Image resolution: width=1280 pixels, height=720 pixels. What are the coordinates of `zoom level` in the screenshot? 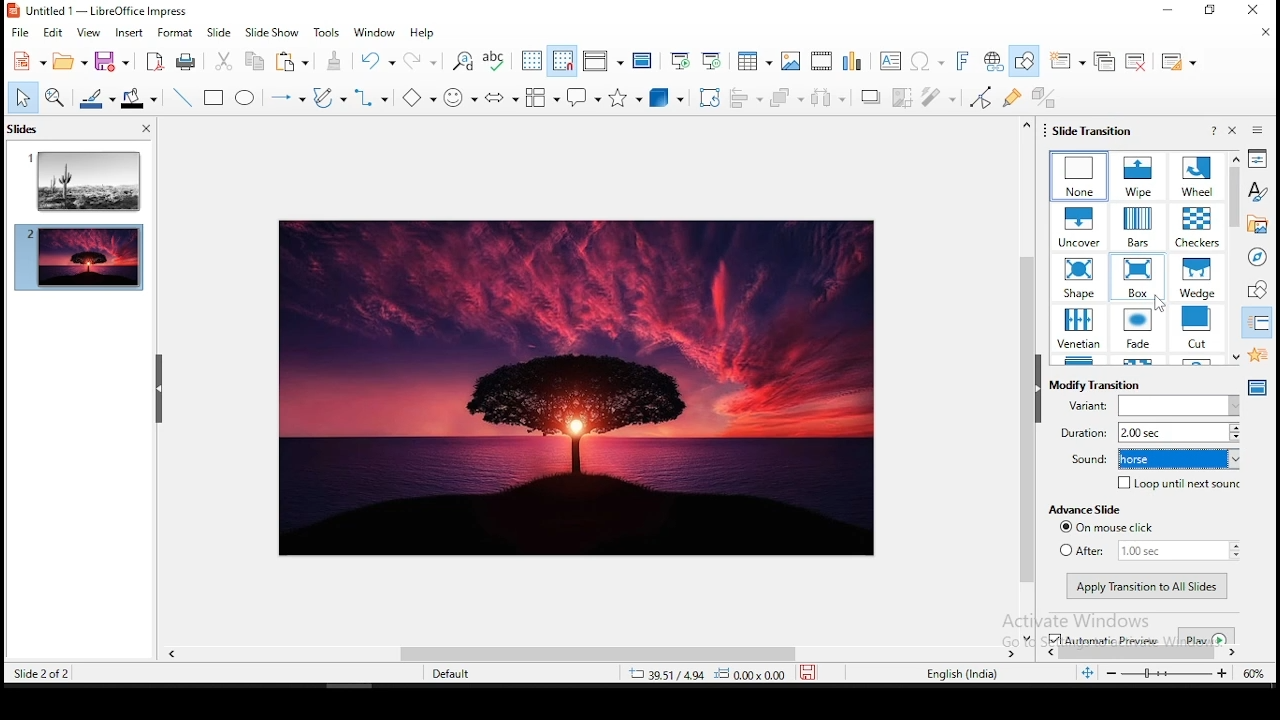 It's located at (1253, 675).